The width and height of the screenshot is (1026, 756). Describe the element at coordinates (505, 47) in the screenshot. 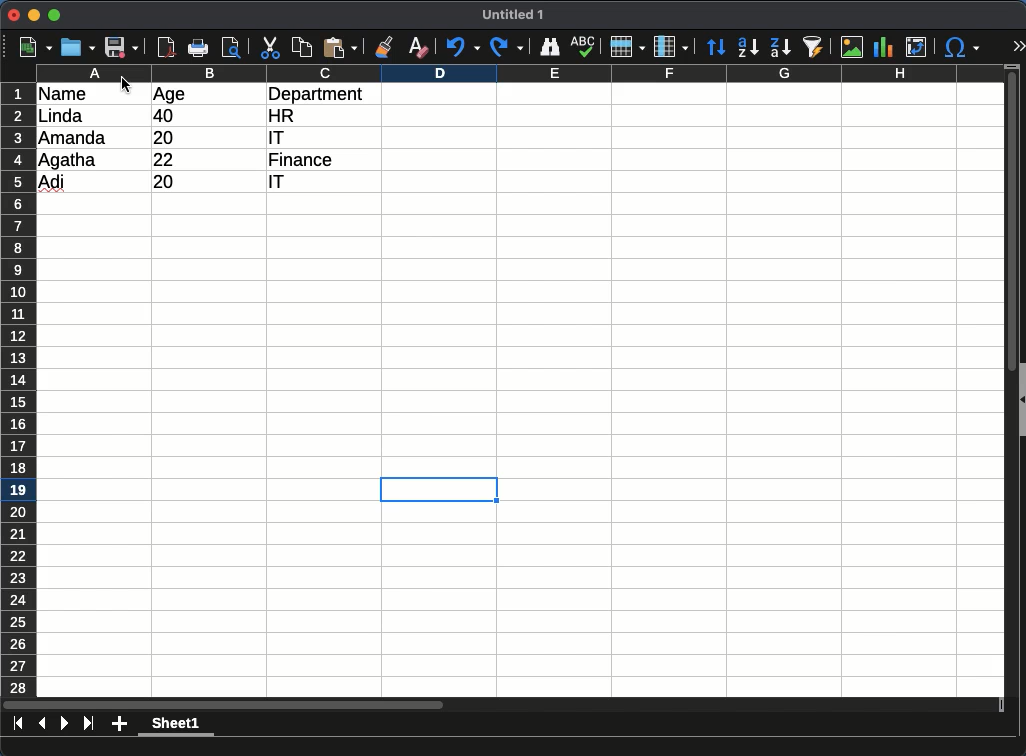

I see `redo` at that location.